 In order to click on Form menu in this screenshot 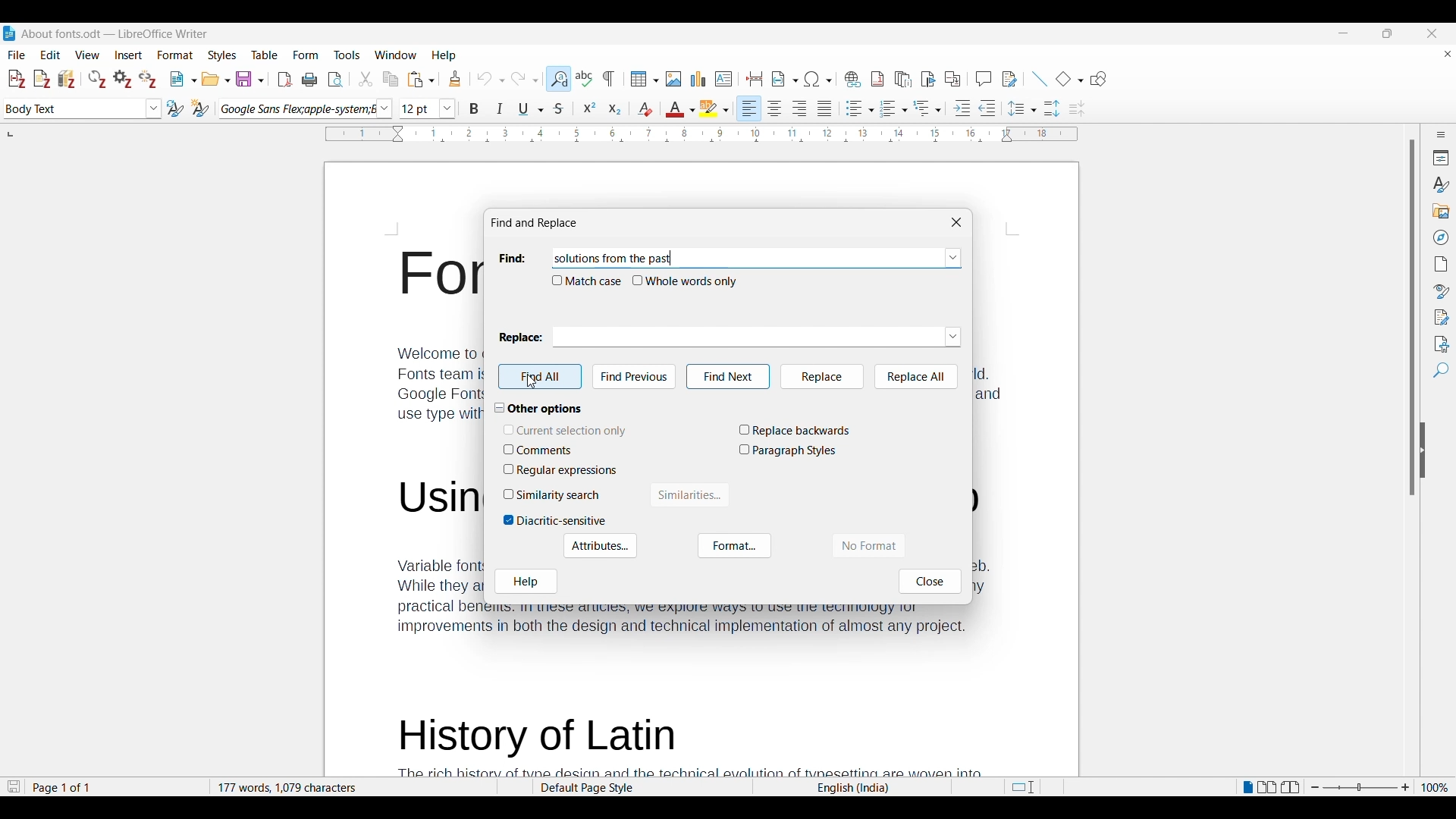, I will do `click(306, 55)`.